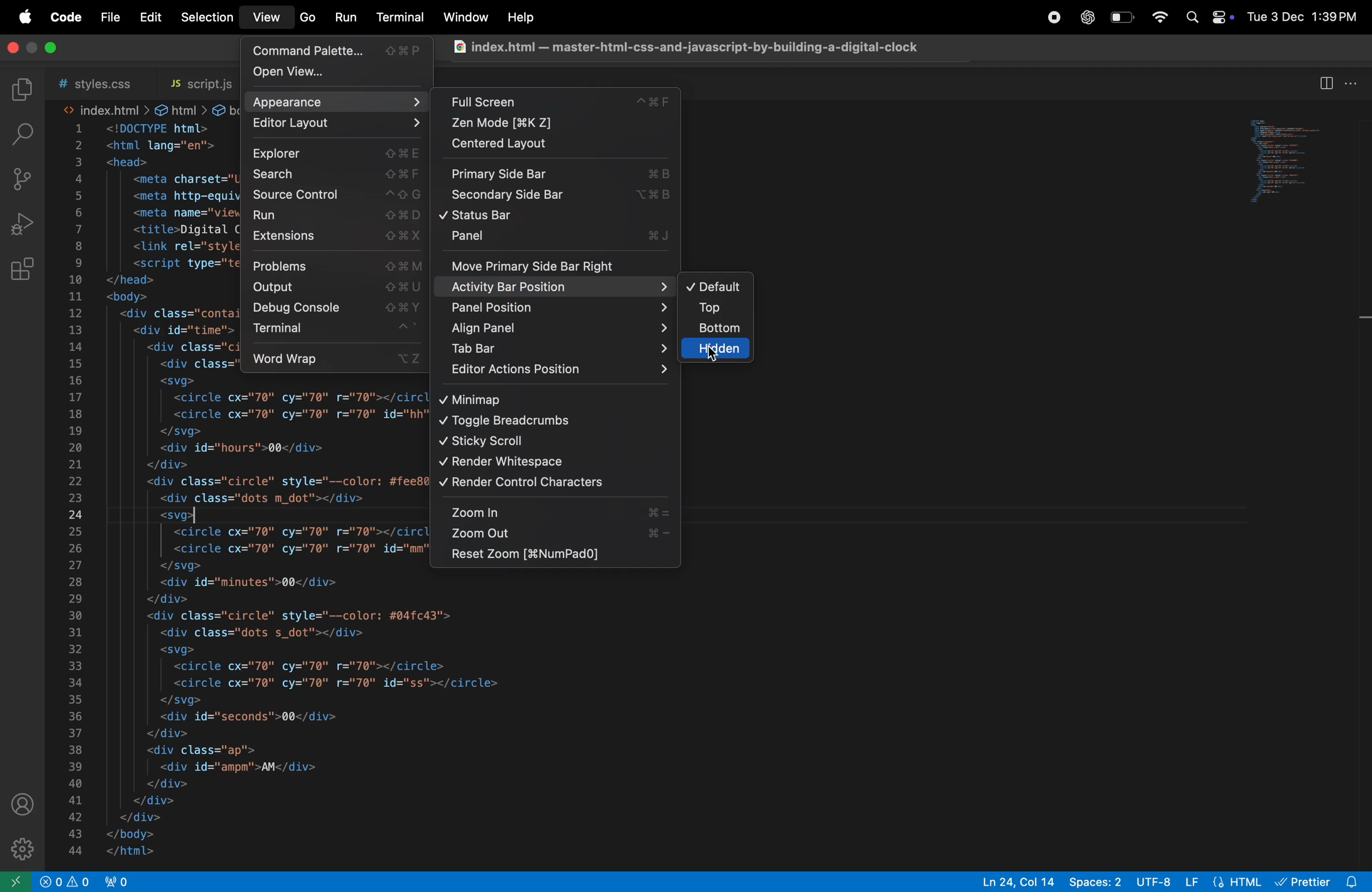  I want to click on style .css, so click(93, 81).